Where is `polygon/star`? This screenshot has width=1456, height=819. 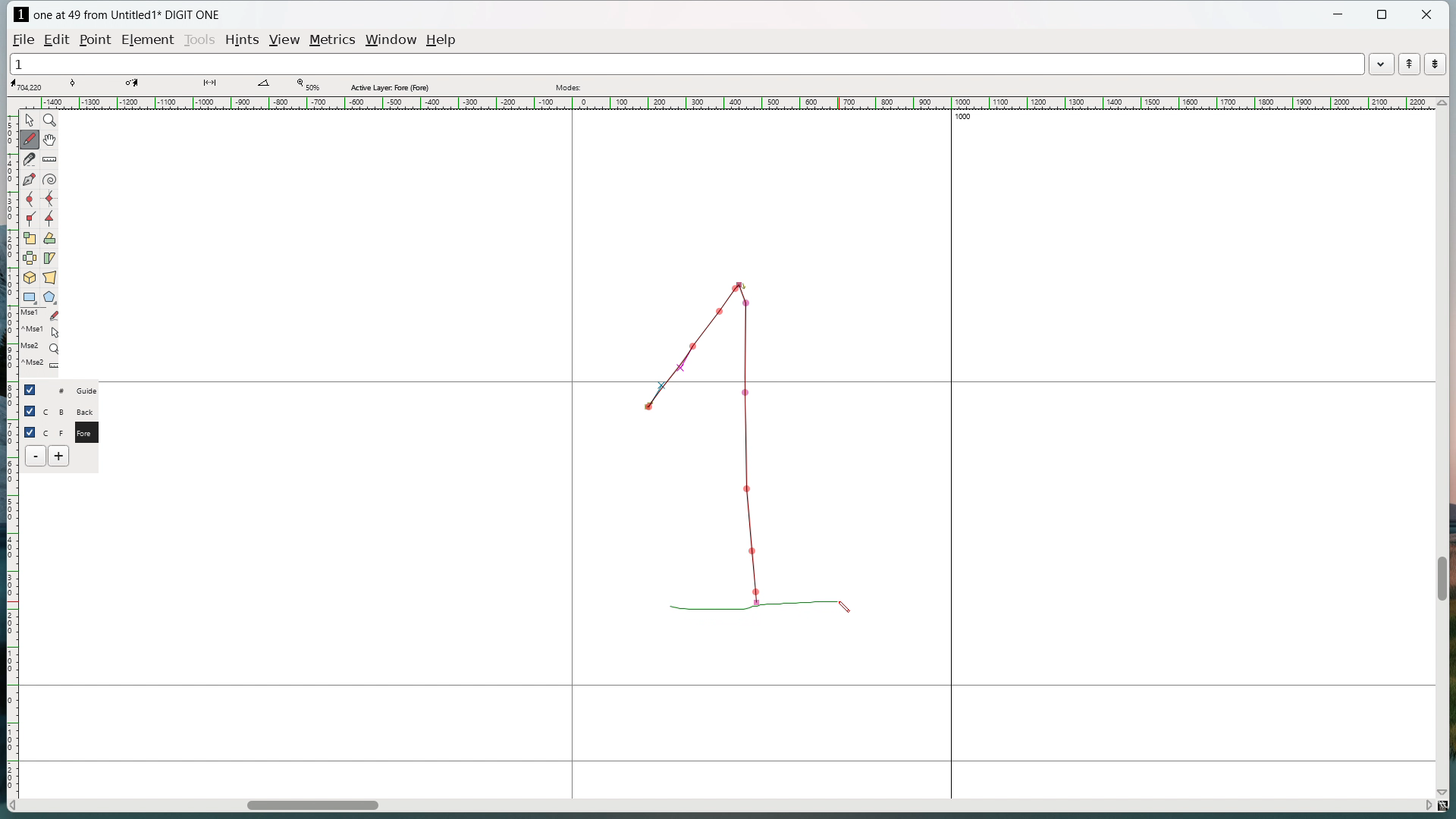 polygon/star is located at coordinates (50, 297).